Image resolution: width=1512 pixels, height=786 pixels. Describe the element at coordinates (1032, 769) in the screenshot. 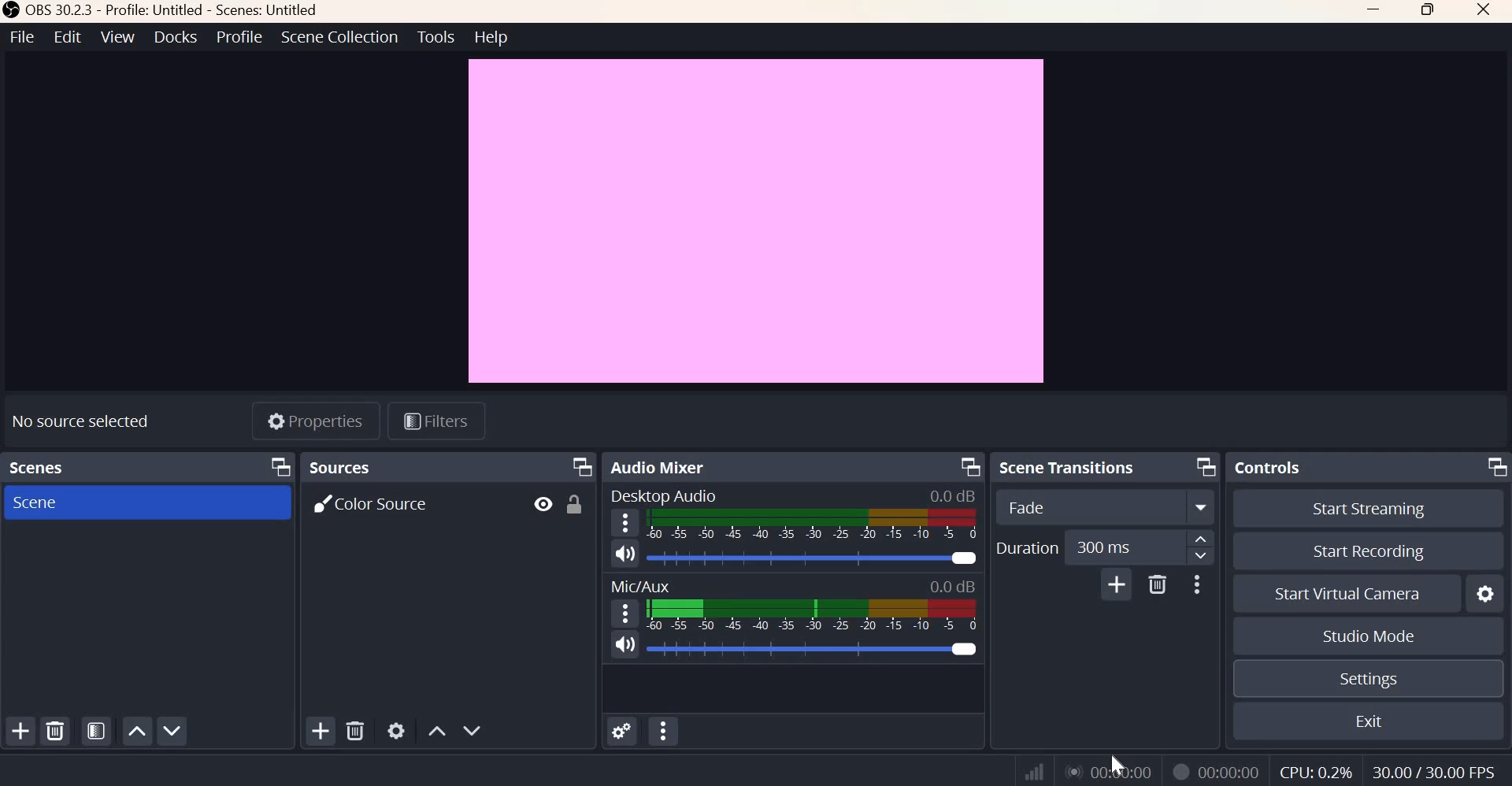

I see `Connection Status Indicator` at that location.